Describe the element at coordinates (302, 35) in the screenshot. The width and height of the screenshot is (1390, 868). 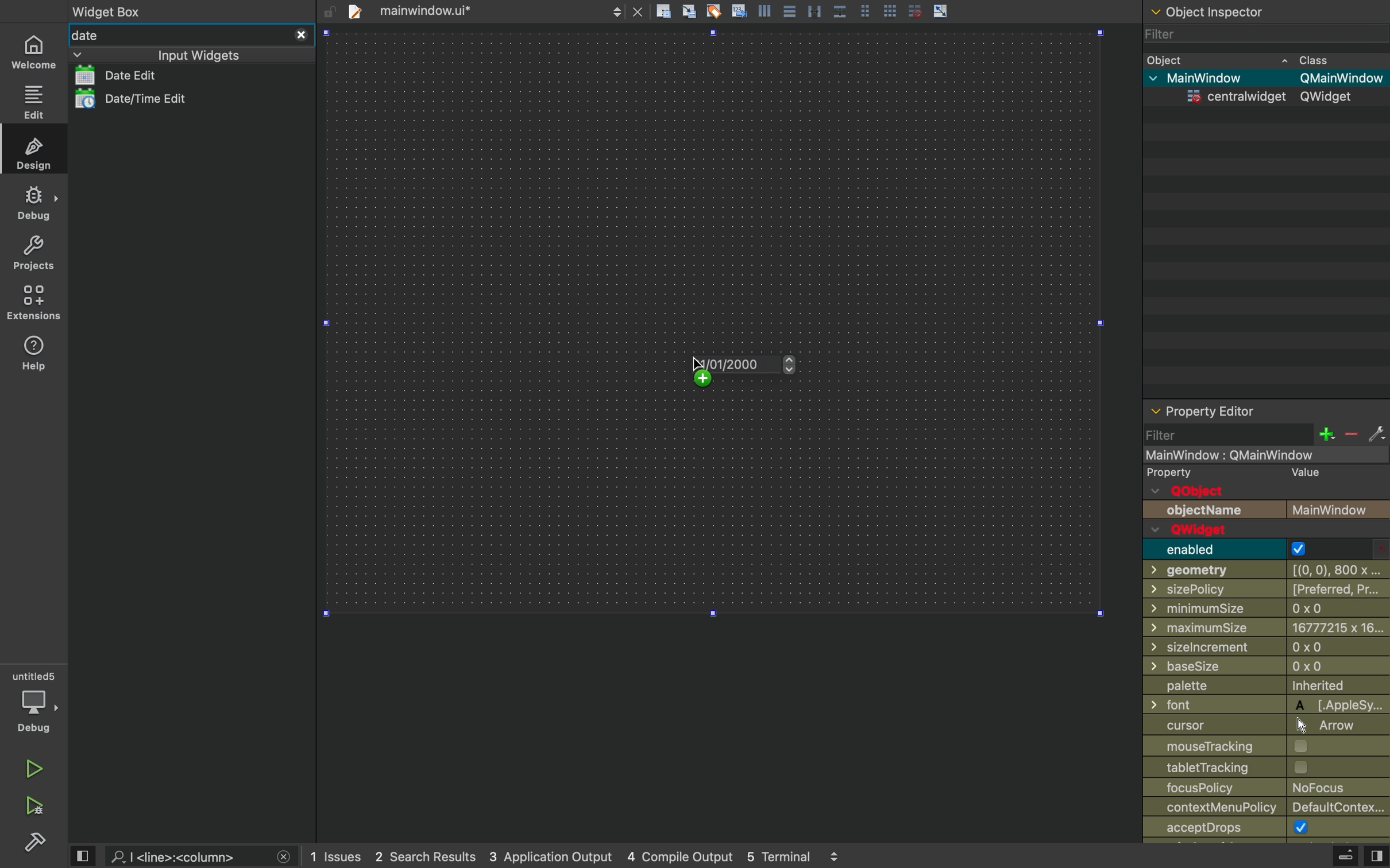
I see `close` at that location.